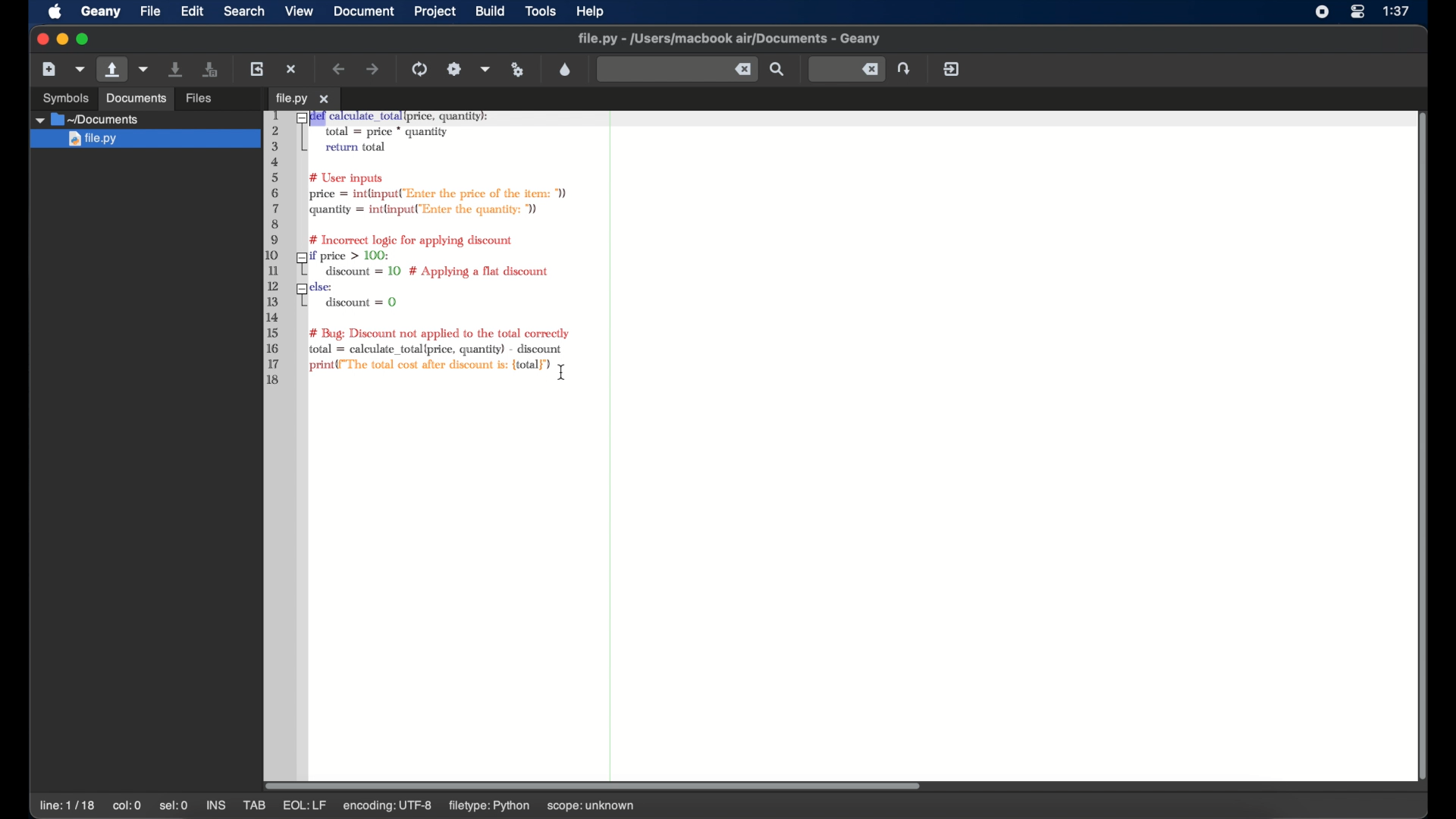  Describe the element at coordinates (150, 11) in the screenshot. I see `file` at that location.